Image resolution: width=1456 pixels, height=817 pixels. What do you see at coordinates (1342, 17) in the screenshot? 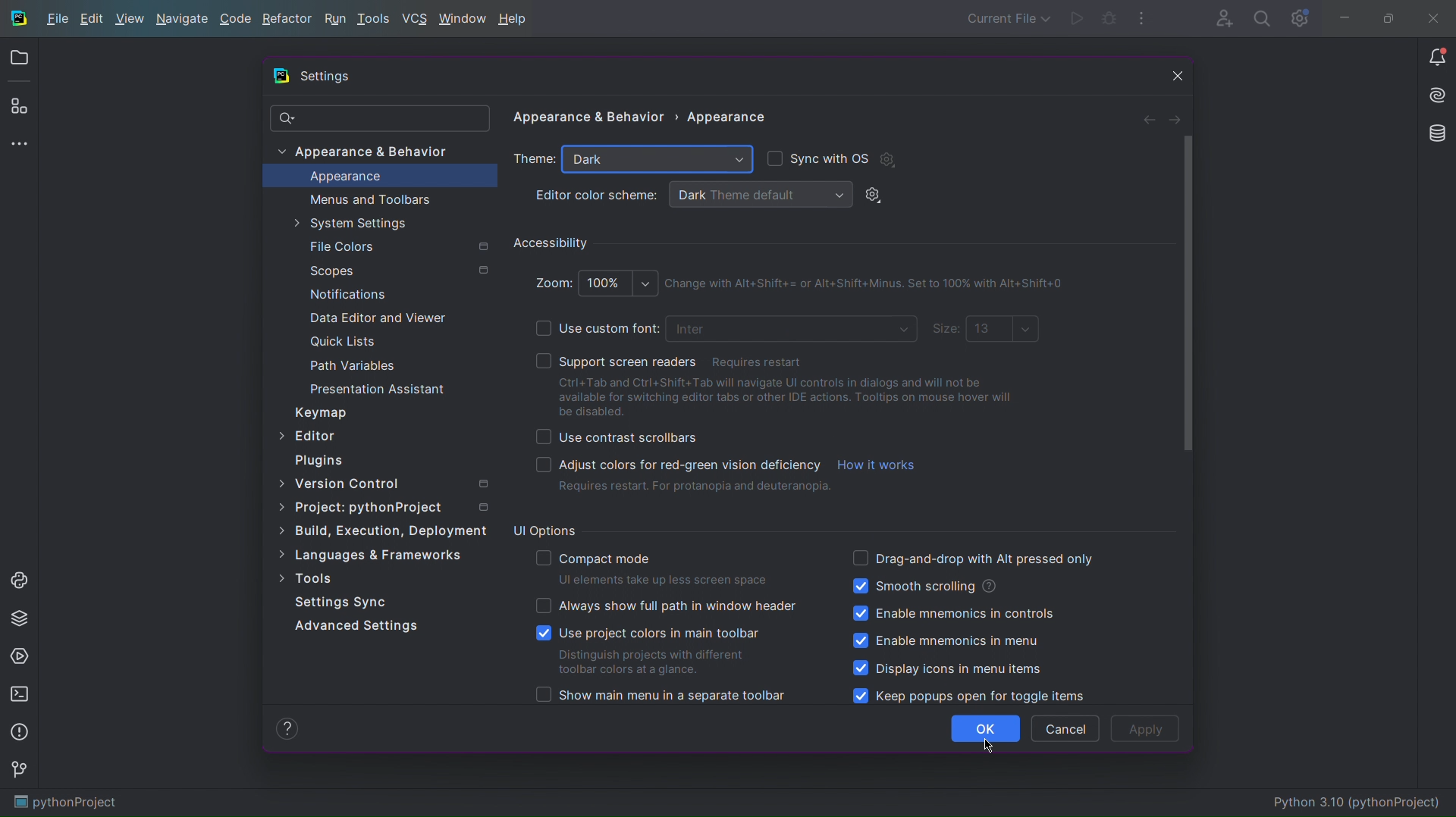
I see `Minimize` at bounding box center [1342, 17].